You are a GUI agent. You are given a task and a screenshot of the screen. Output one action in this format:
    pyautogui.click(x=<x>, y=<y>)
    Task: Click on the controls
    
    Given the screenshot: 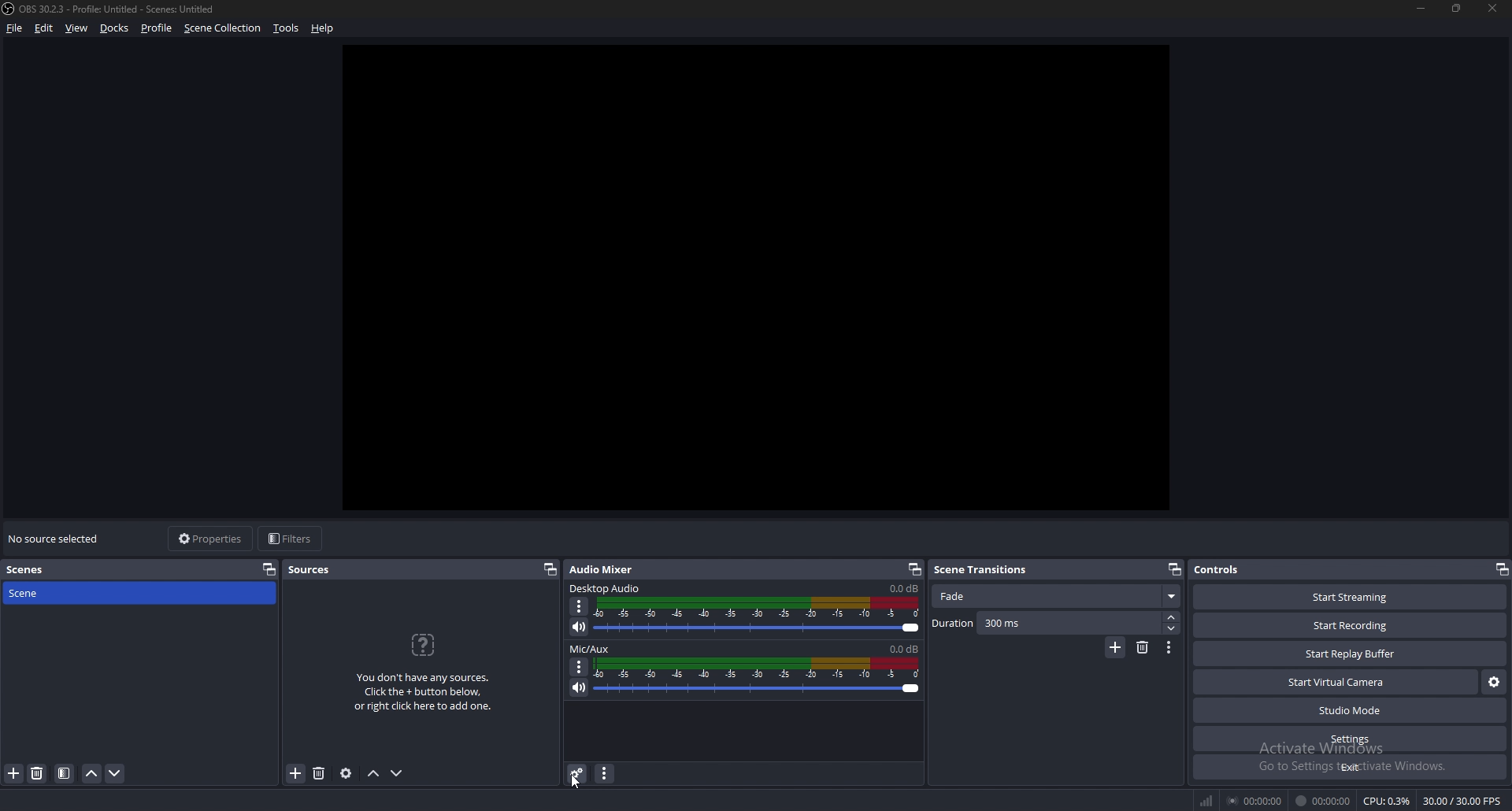 What is the action you would take?
    pyautogui.click(x=1221, y=568)
    